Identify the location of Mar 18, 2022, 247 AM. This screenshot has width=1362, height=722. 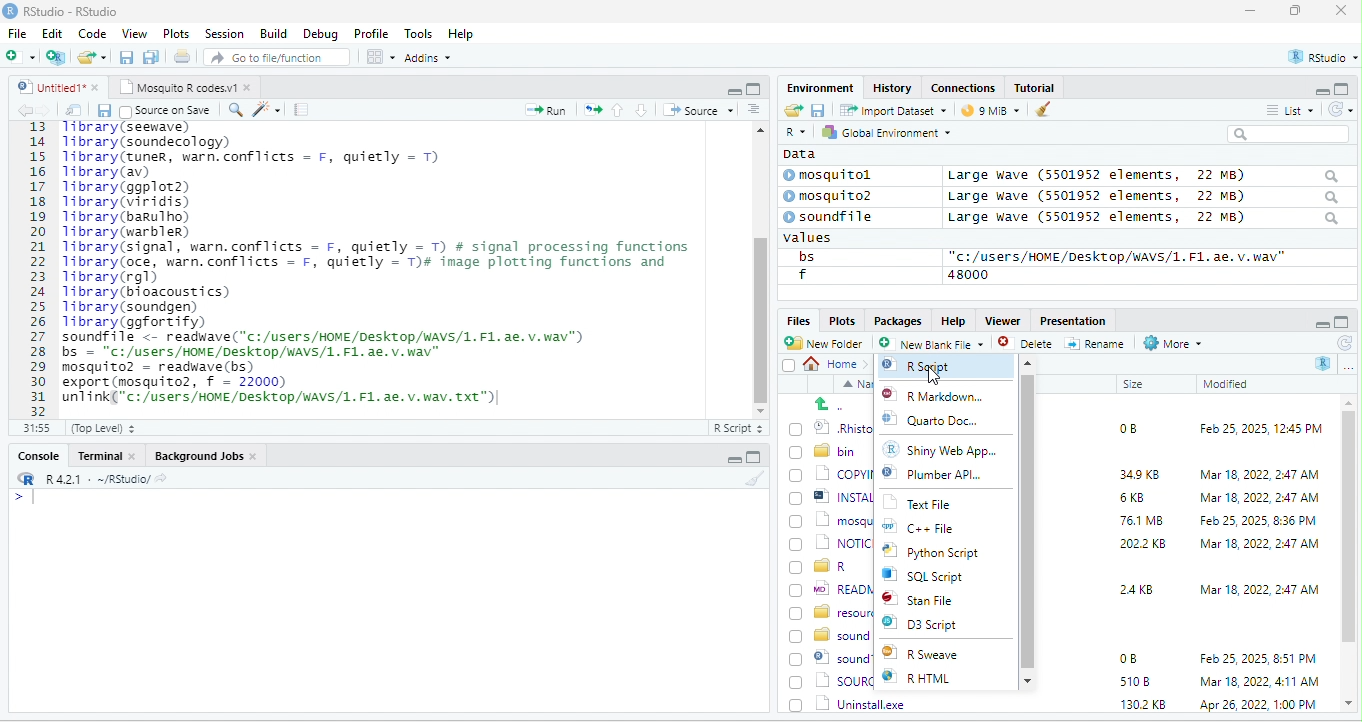
(1260, 474).